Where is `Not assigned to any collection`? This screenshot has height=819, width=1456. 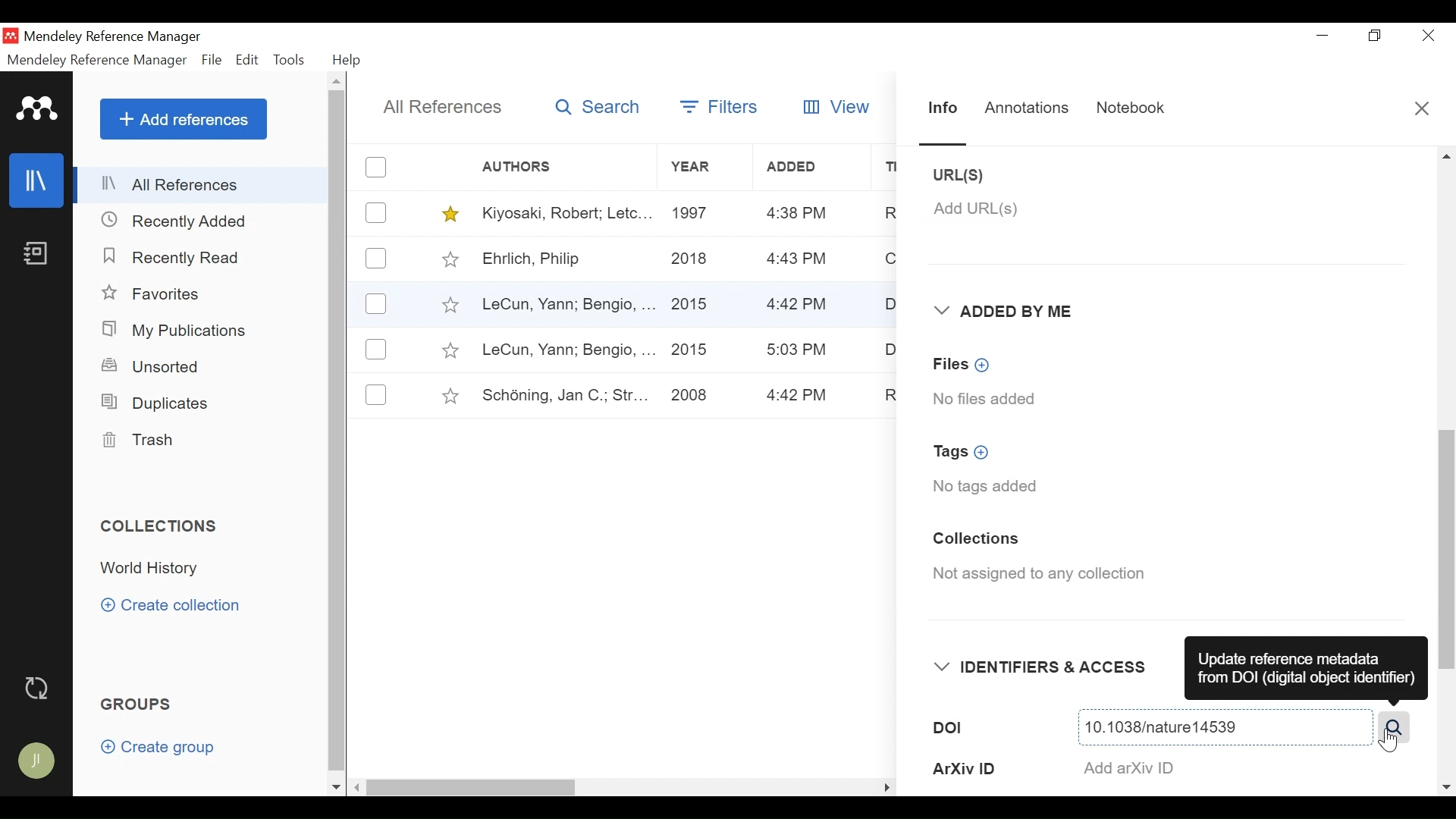
Not assigned to any collection is located at coordinates (1045, 577).